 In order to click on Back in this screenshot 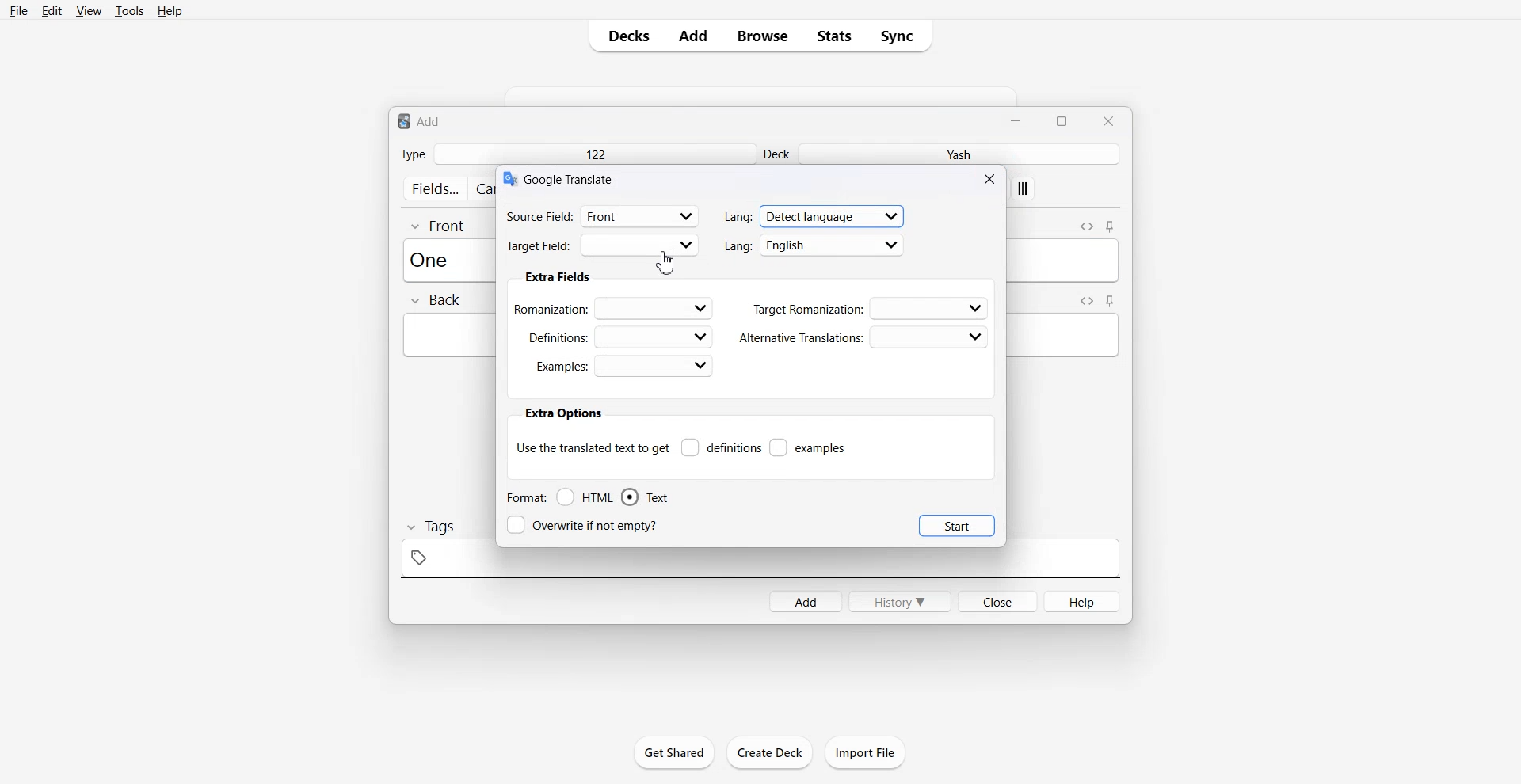, I will do `click(435, 301)`.